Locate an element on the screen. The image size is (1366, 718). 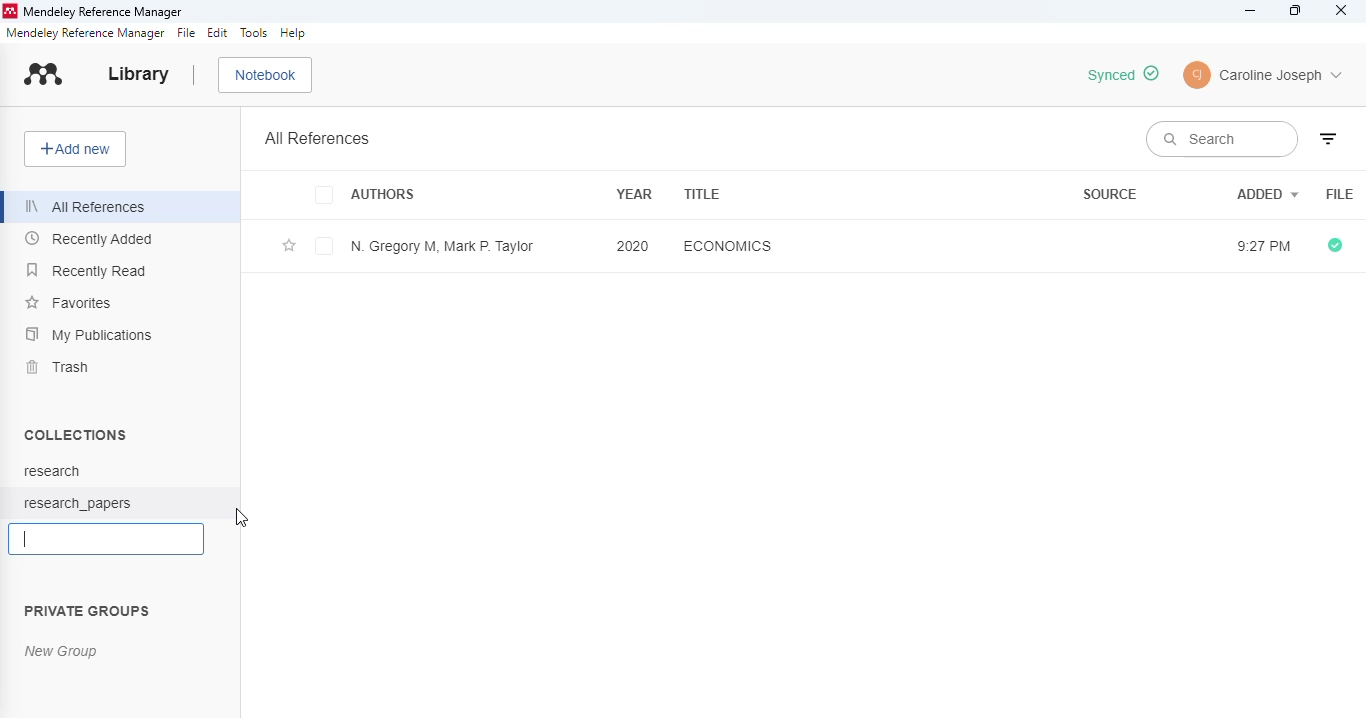
logo is located at coordinates (44, 74).